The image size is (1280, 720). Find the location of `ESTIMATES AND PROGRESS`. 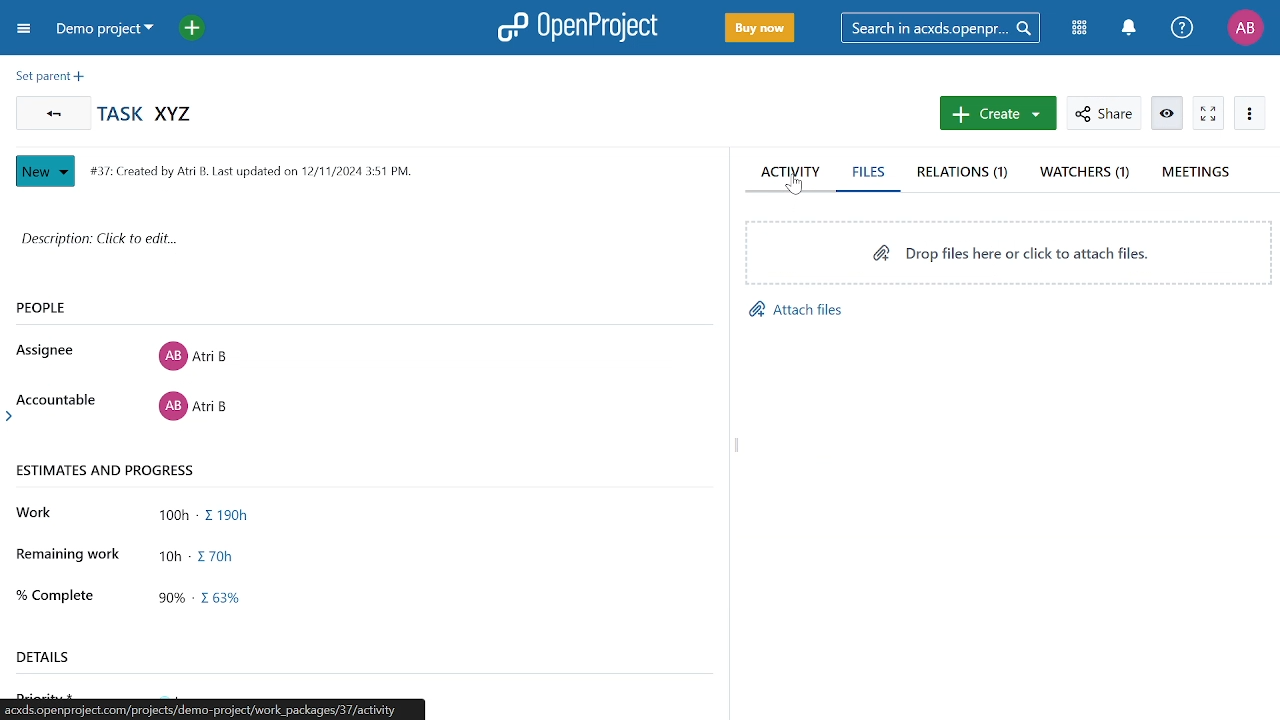

ESTIMATES AND PROGRESS is located at coordinates (113, 475).